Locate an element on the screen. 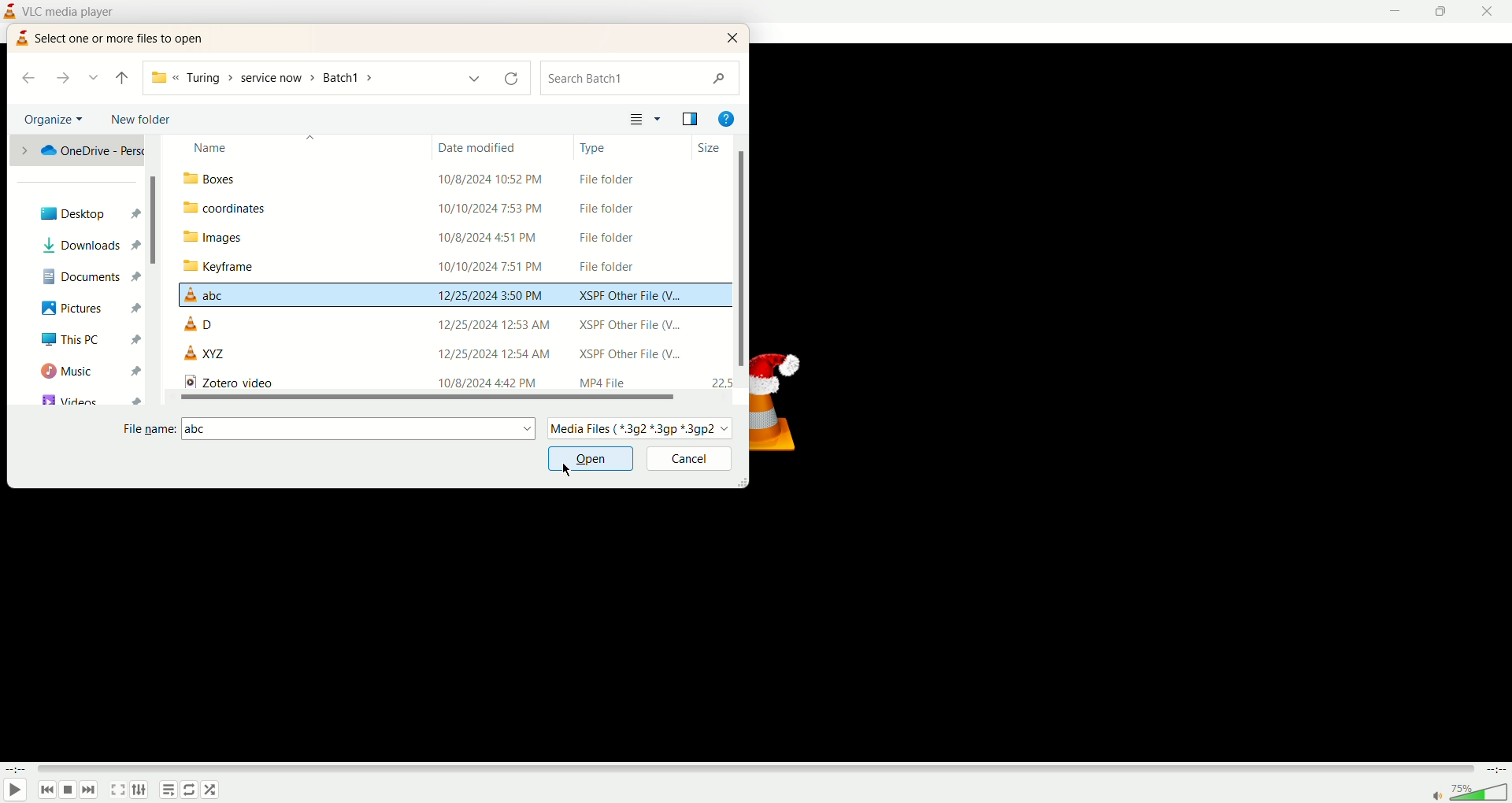 Image resolution: width=1512 pixels, height=803 pixels. folder is located at coordinates (449, 267).